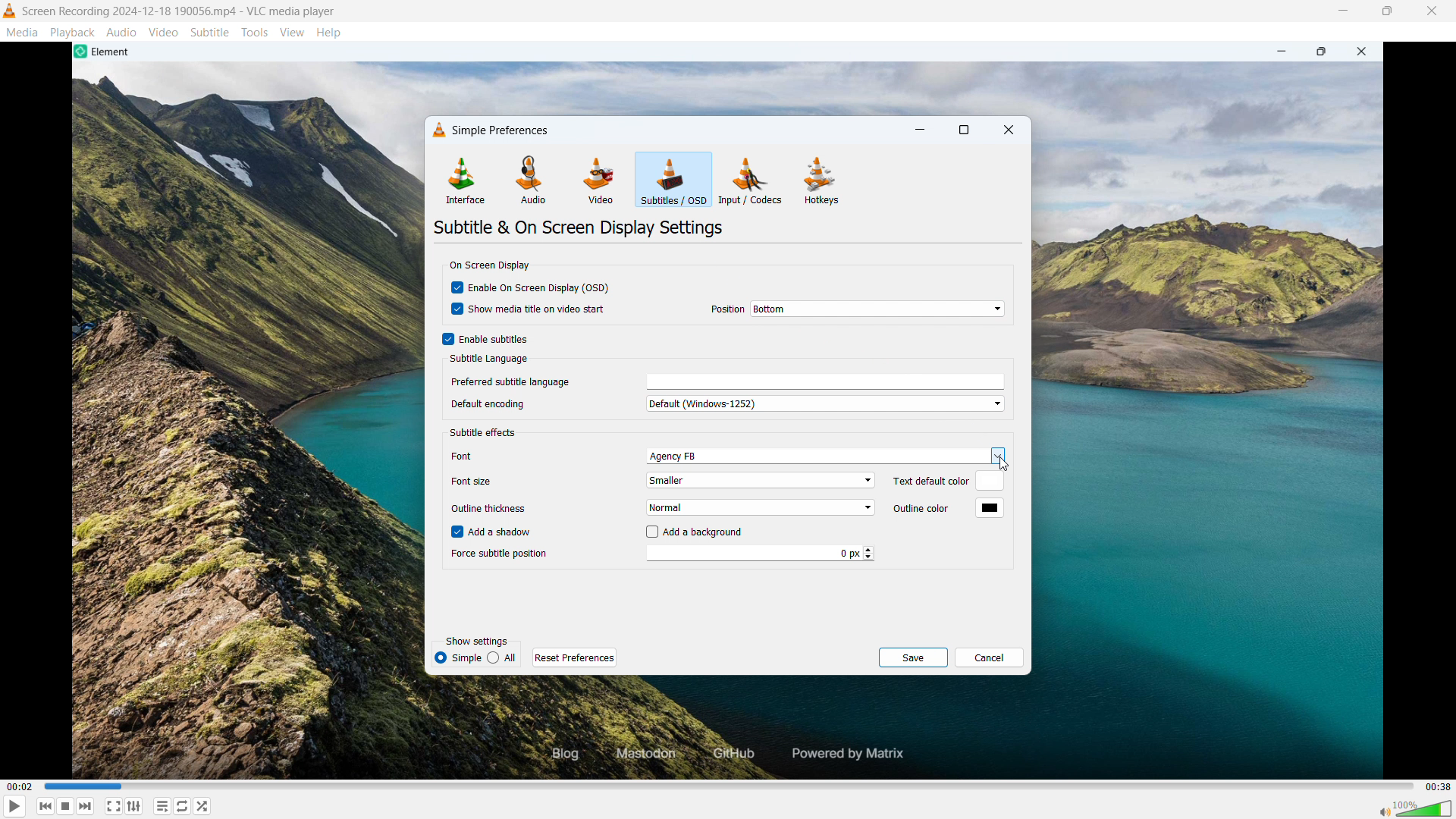 Image resolution: width=1456 pixels, height=819 pixels. I want to click on font default color, so click(486, 434).